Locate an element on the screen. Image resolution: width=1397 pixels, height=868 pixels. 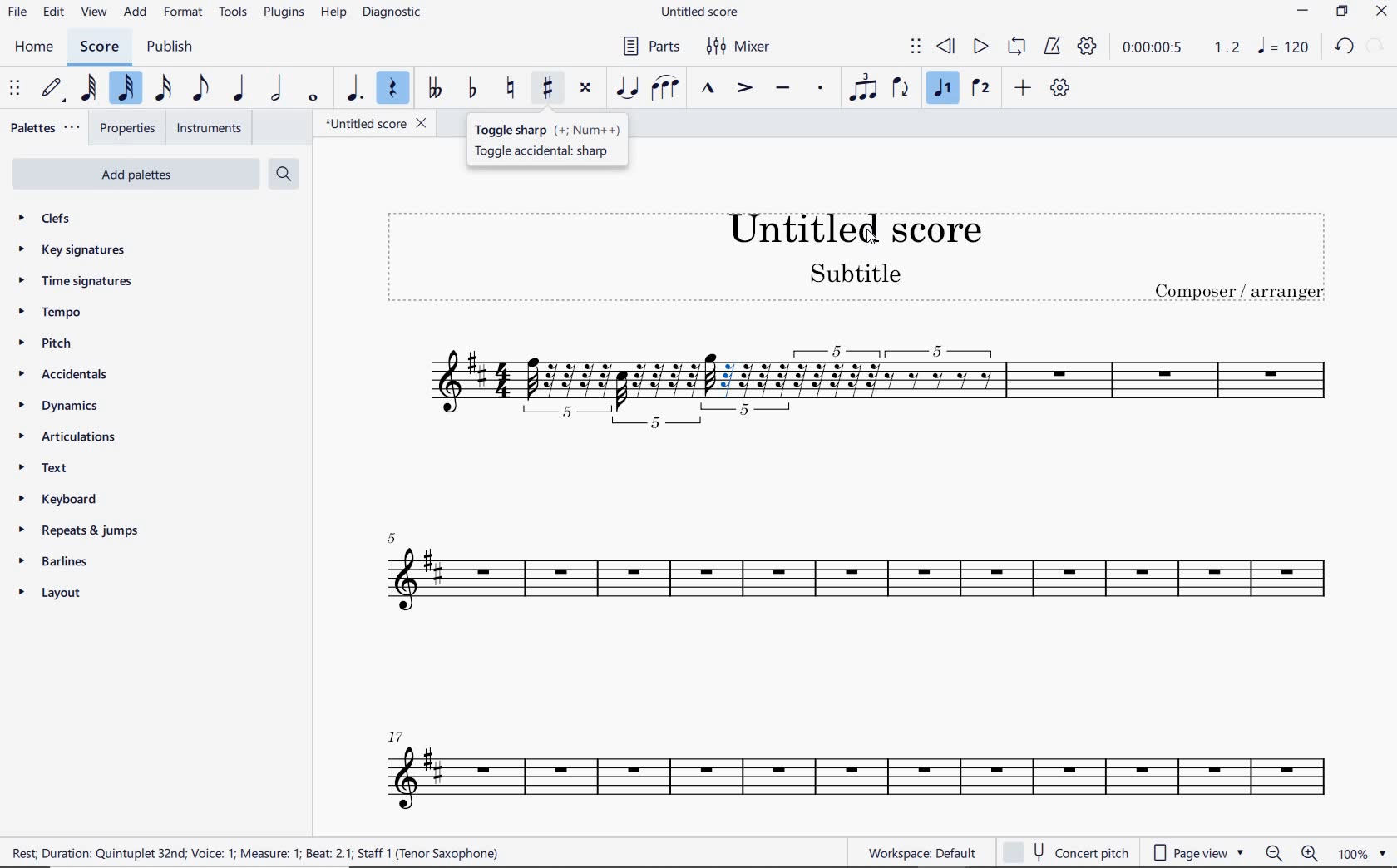
AUGMENTATION DOT is located at coordinates (357, 89).